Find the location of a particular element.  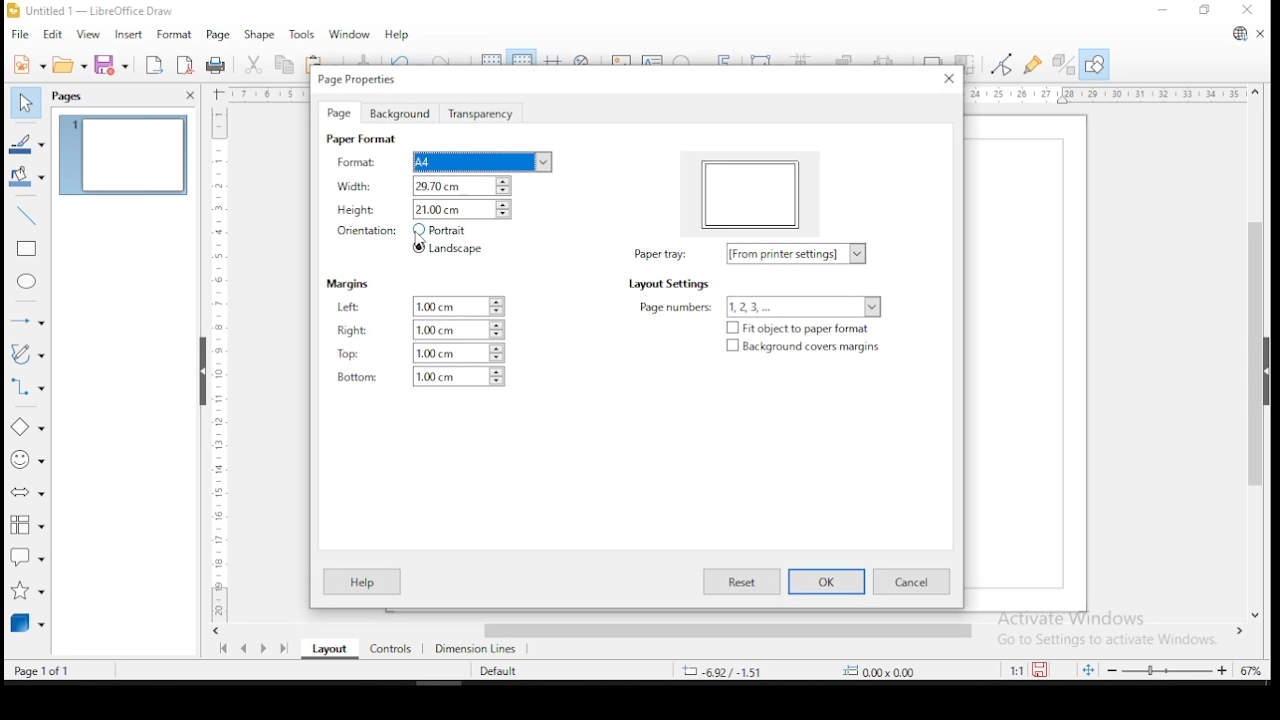

last page is located at coordinates (282, 650).